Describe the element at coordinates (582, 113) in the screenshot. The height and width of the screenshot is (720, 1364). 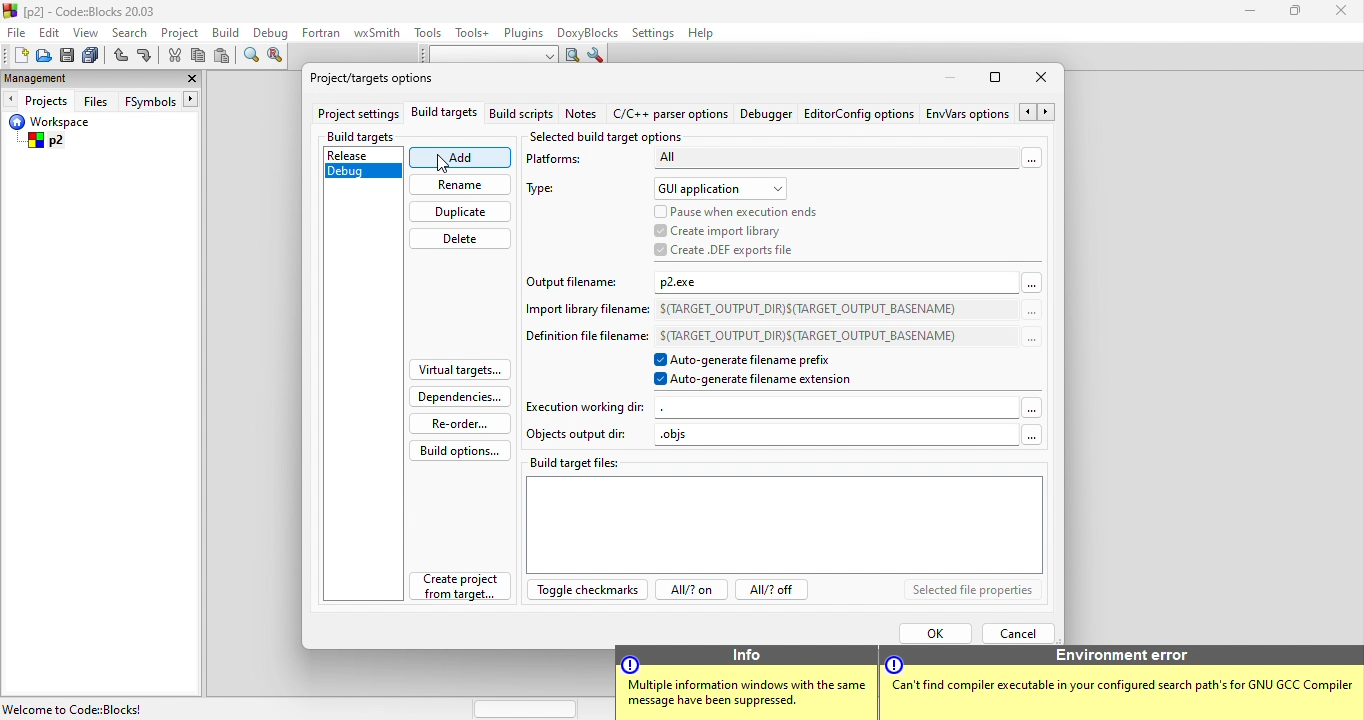
I see `notes` at that location.